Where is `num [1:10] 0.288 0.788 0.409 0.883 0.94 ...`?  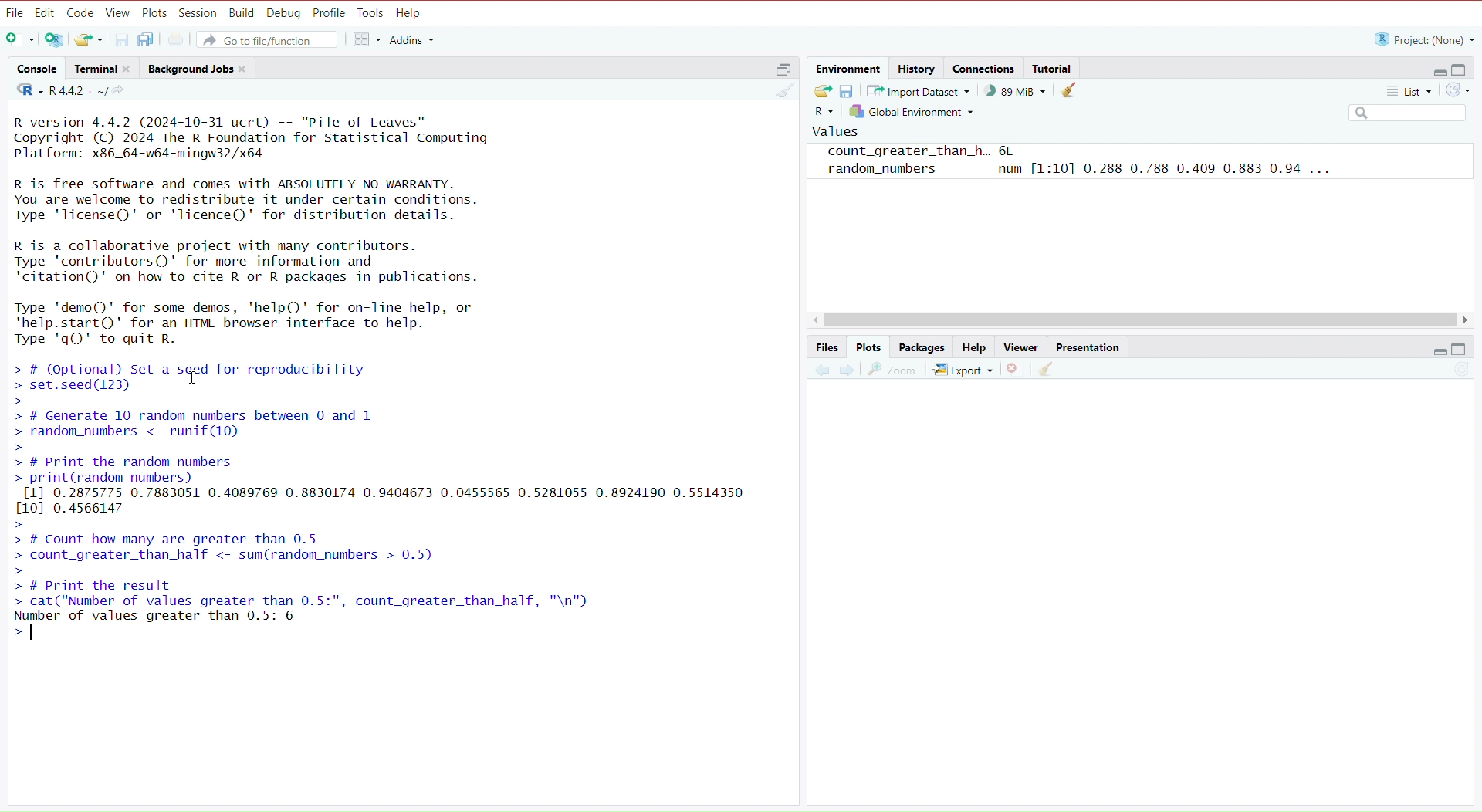
num [1:10] 0.288 0.788 0.409 0.883 0.94 ... is located at coordinates (1172, 169).